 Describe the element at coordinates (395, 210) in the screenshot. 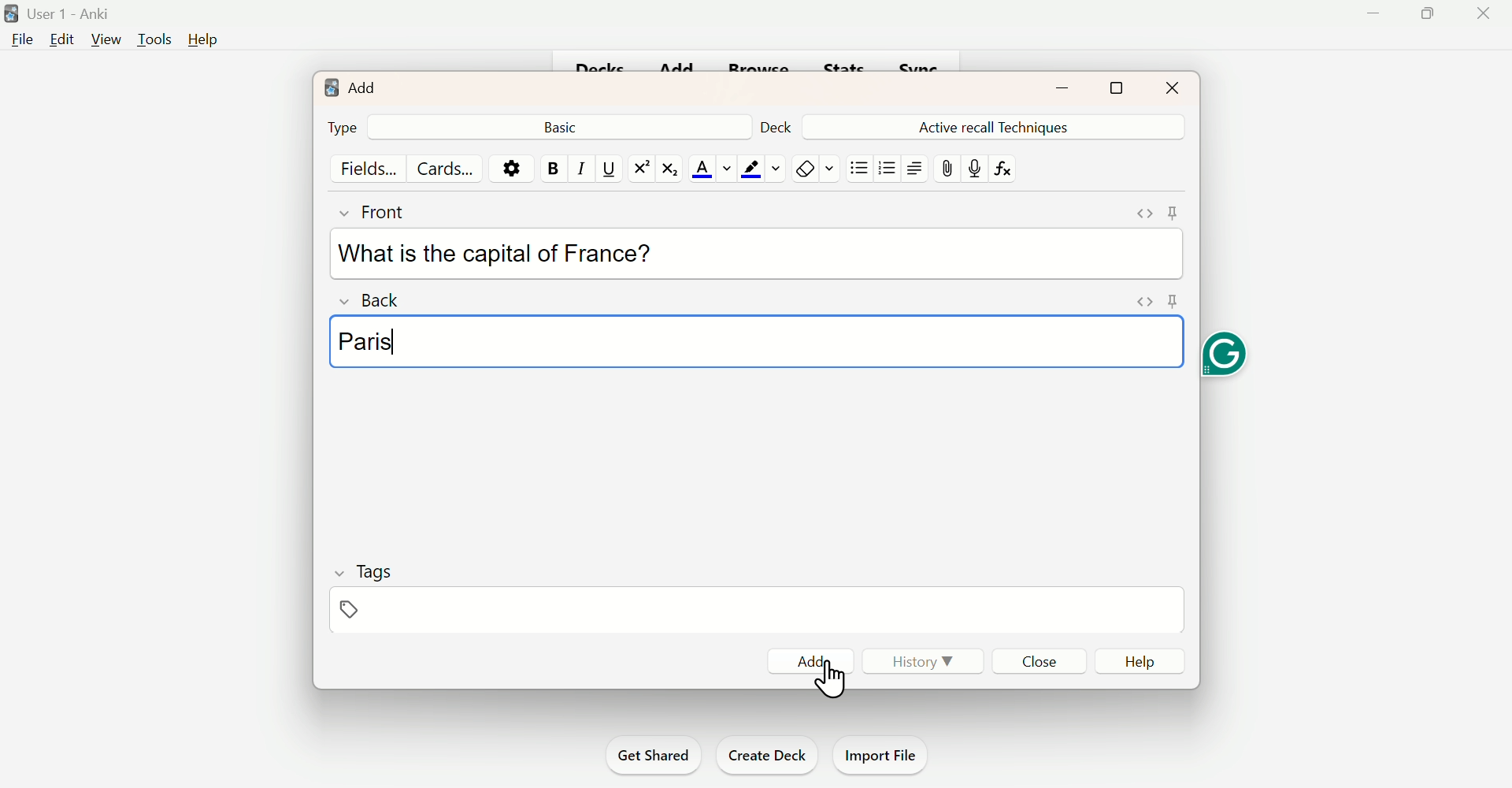

I see `Front` at that location.